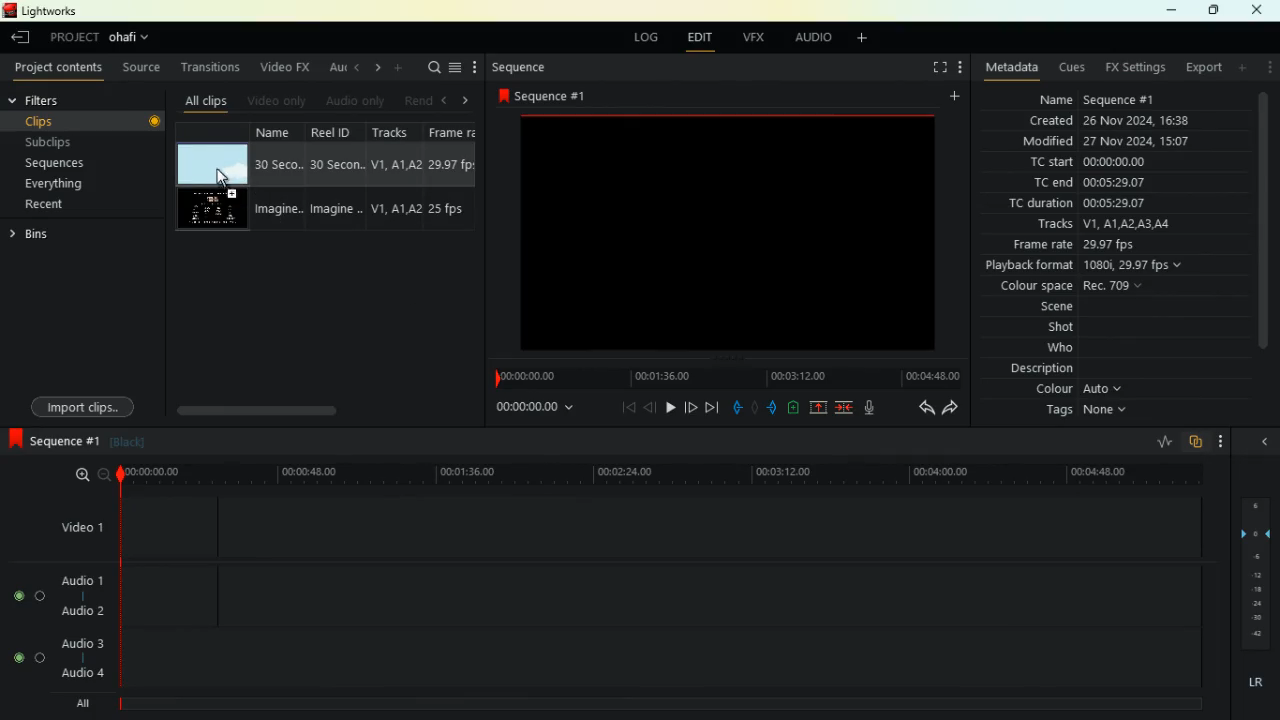  I want to click on V1,A1, A2, so click(395, 165).